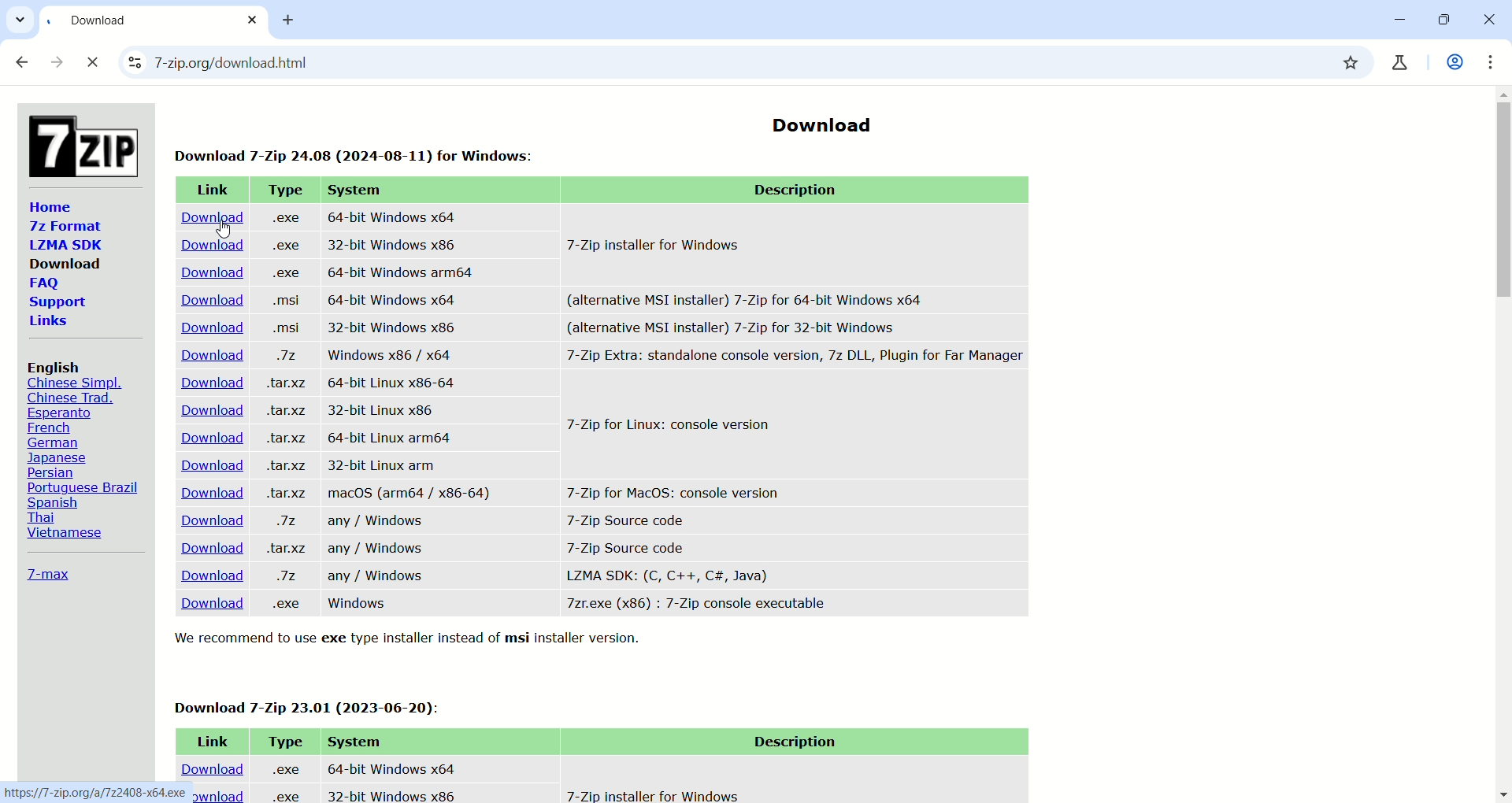 Image resolution: width=1512 pixels, height=803 pixels. I want to click on Download, so click(205, 521).